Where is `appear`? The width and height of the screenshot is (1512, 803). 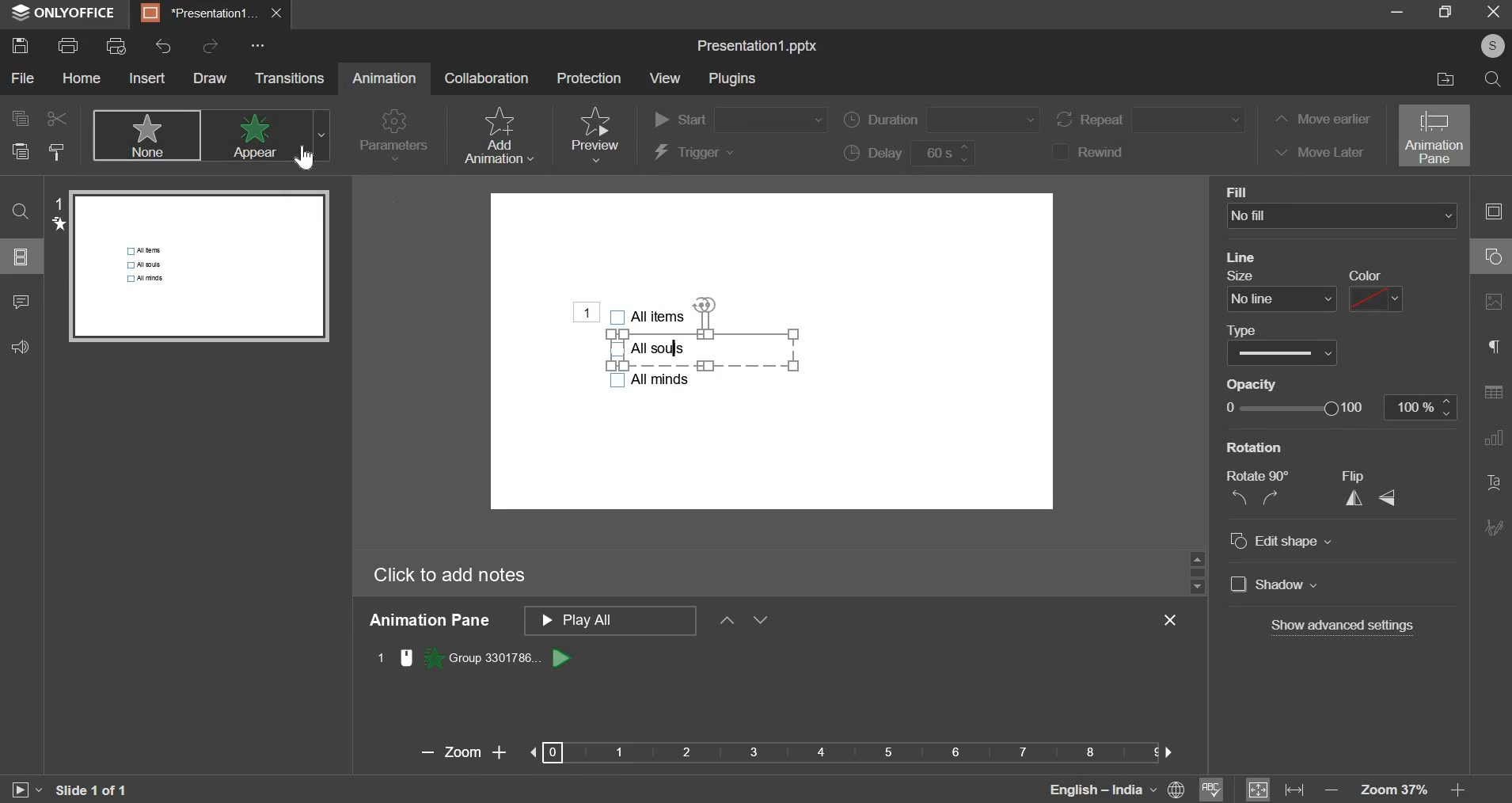
appear is located at coordinates (264, 136).